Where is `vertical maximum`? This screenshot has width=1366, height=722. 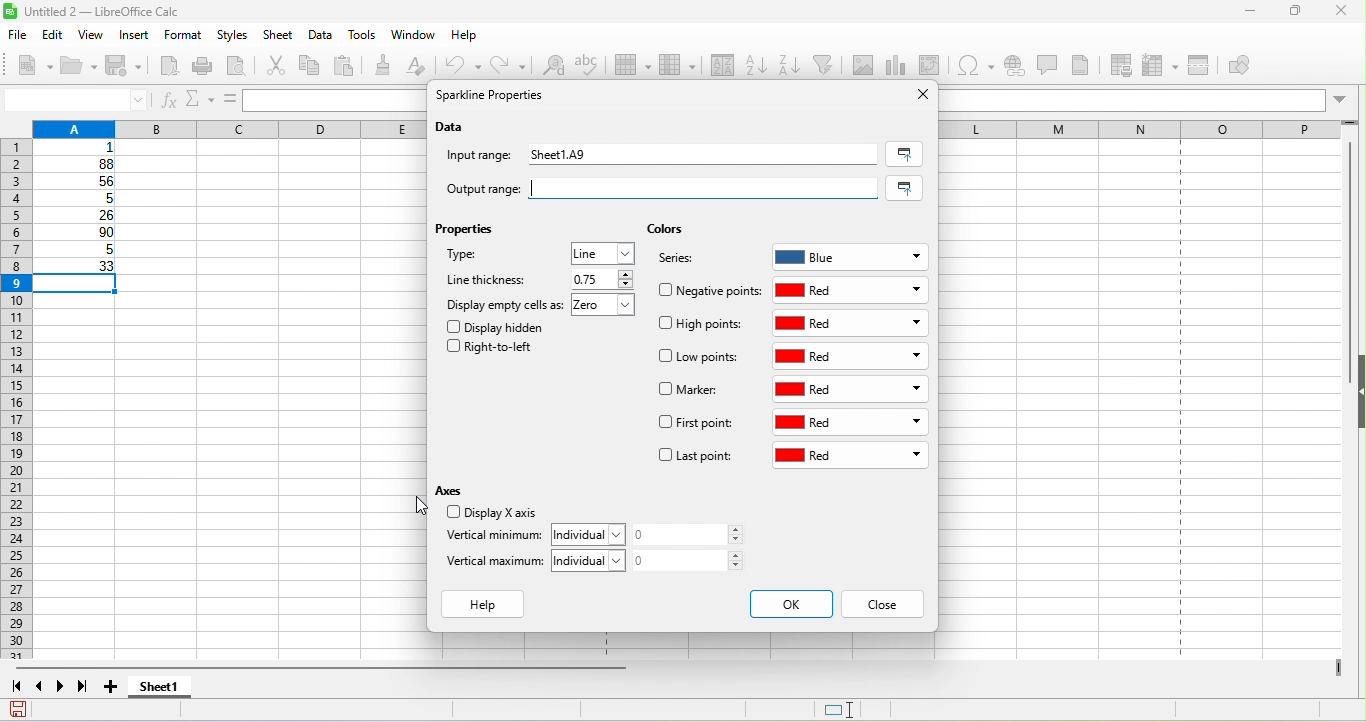
vertical maximum is located at coordinates (496, 565).